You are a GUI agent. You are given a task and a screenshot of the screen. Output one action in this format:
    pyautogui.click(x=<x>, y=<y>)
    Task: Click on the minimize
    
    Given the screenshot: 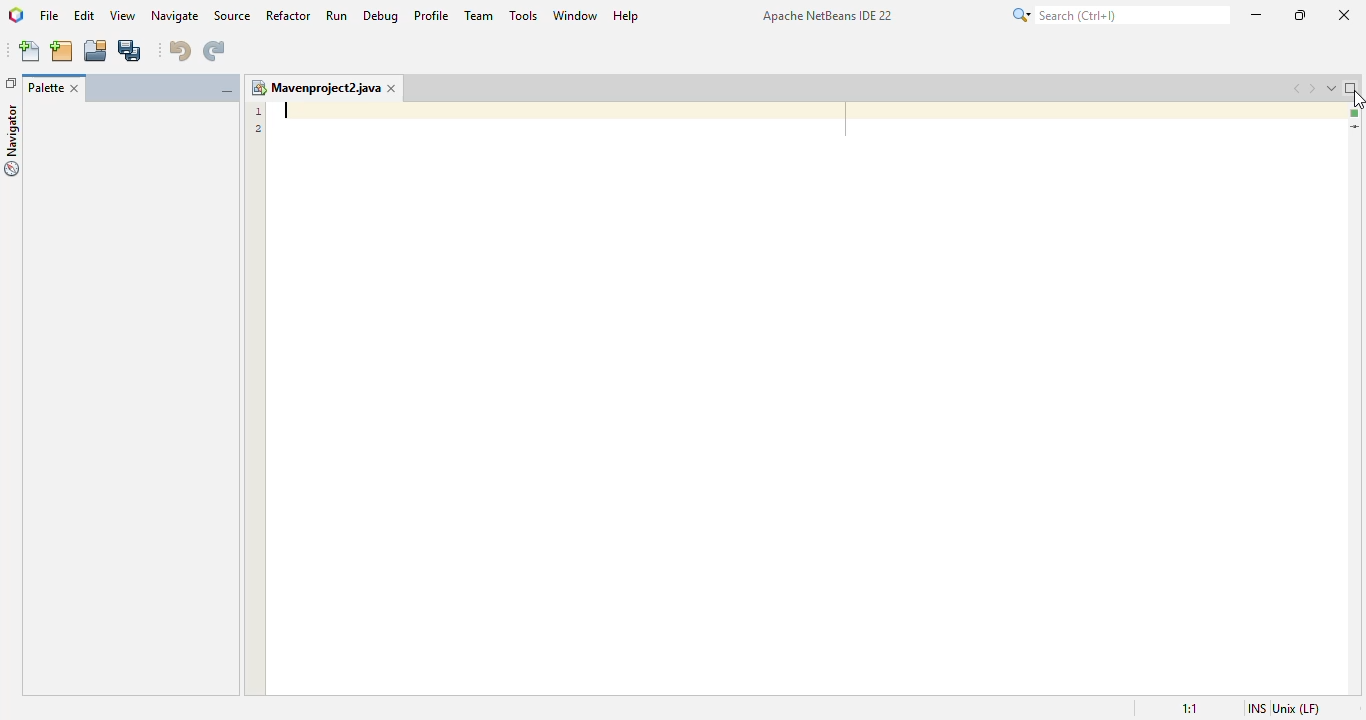 What is the action you would take?
    pyautogui.click(x=1258, y=15)
    